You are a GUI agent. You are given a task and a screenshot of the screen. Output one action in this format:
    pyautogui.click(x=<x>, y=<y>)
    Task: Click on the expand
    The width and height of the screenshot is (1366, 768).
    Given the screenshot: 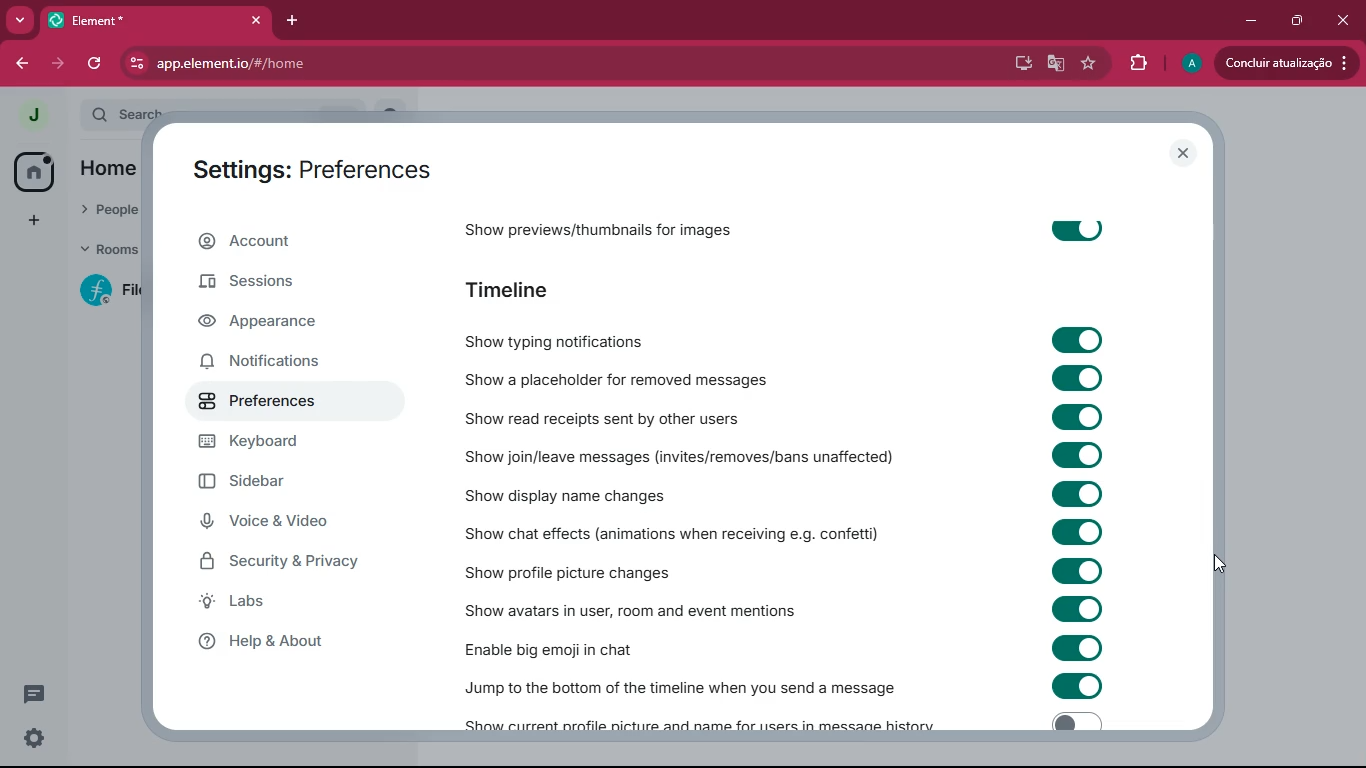 What is the action you would take?
    pyautogui.click(x=68, y=117)
    